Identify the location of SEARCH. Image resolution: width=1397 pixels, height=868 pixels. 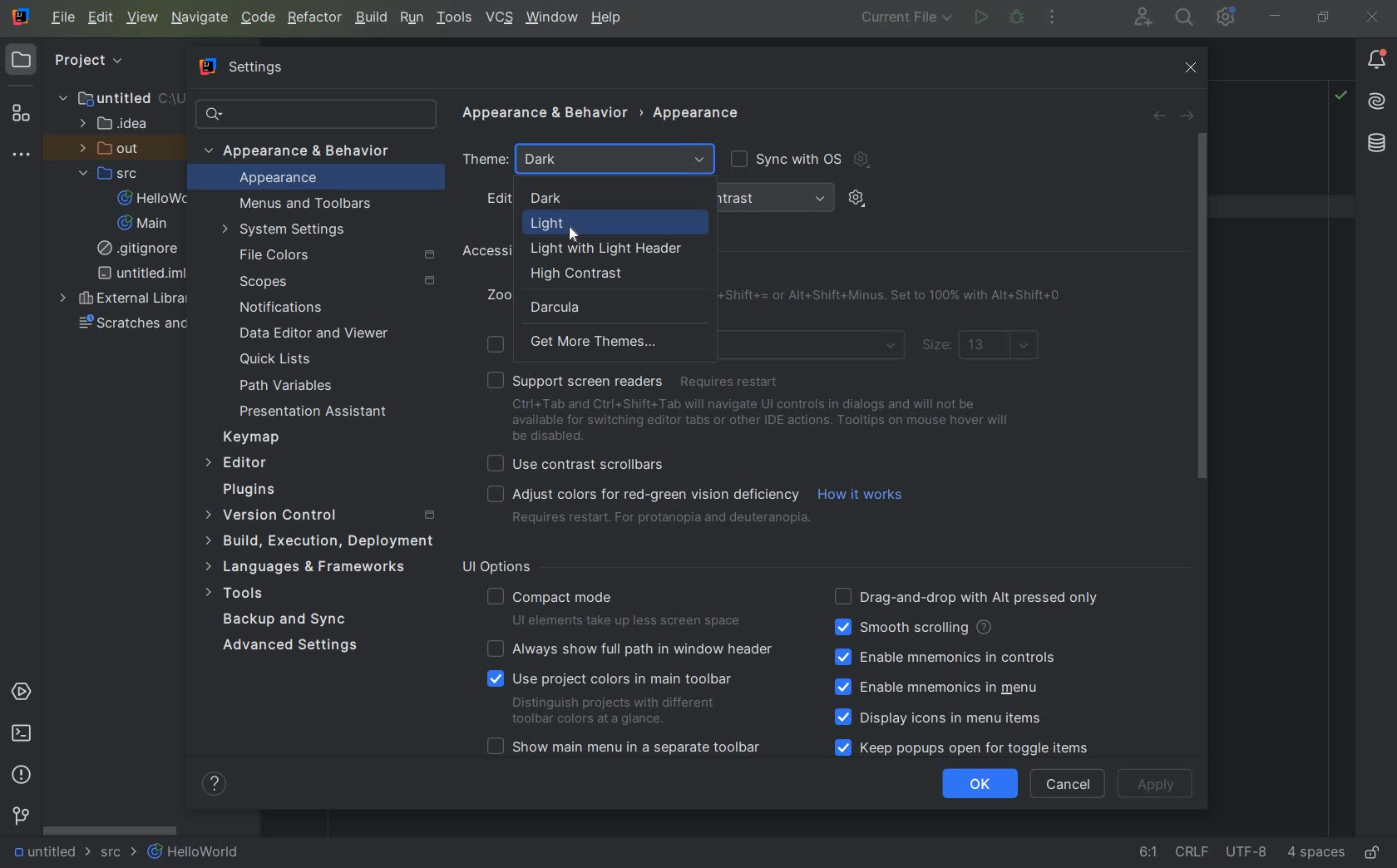
(1186, 17).